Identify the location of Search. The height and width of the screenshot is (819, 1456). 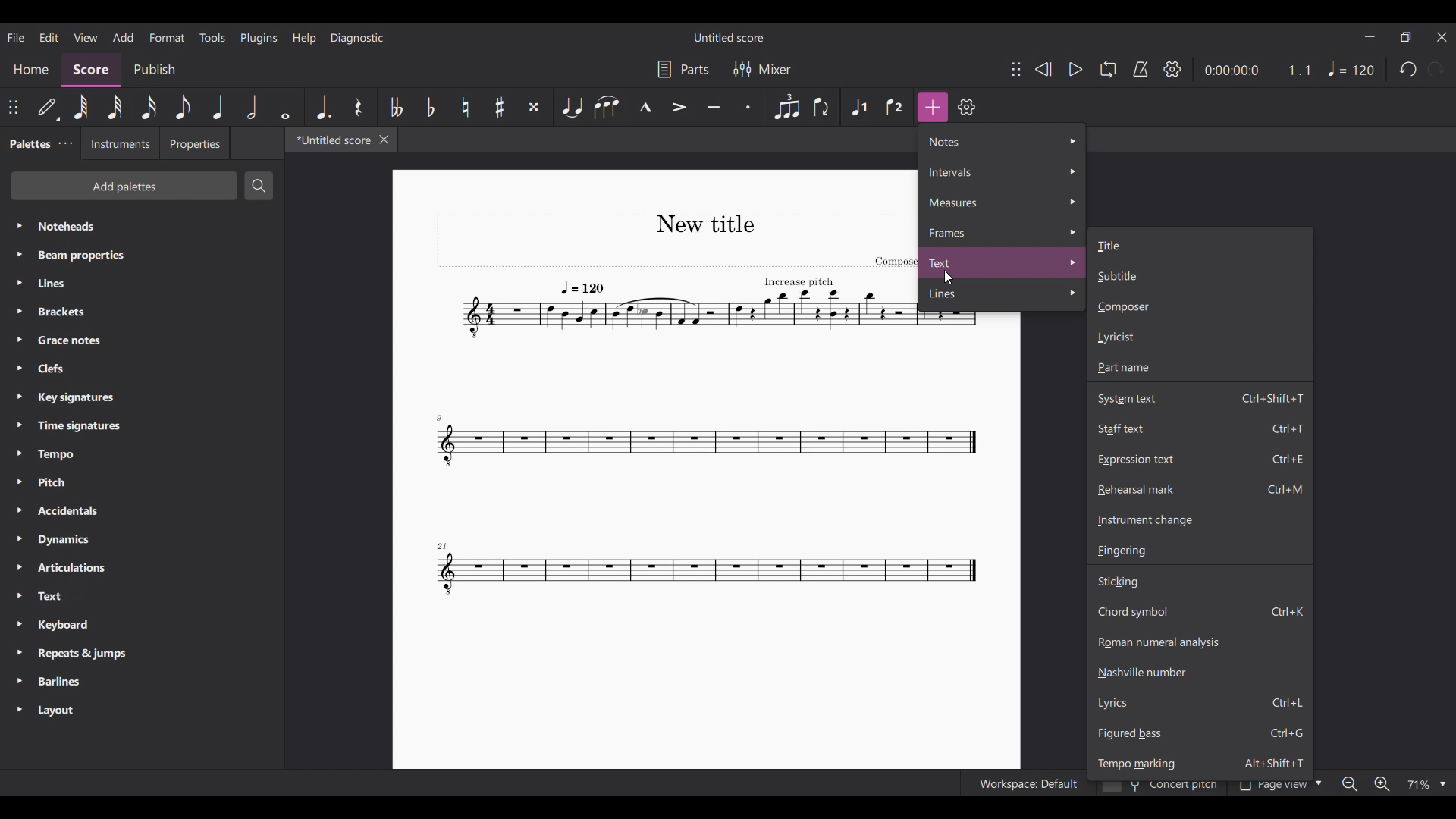
(259, 186).